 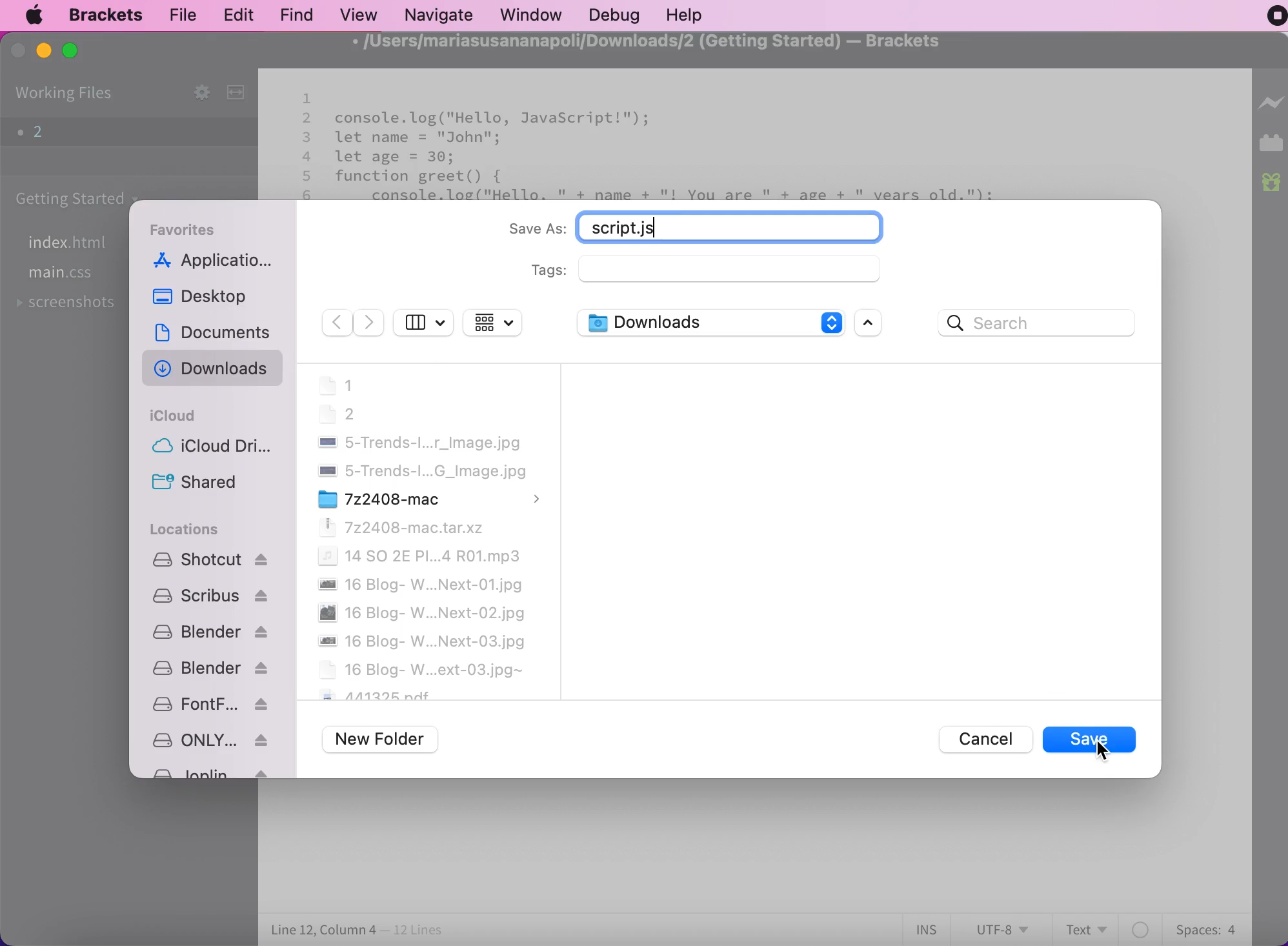 I want to click on 5-trends-I...r_image.jpg, so click(x=418, y=443).